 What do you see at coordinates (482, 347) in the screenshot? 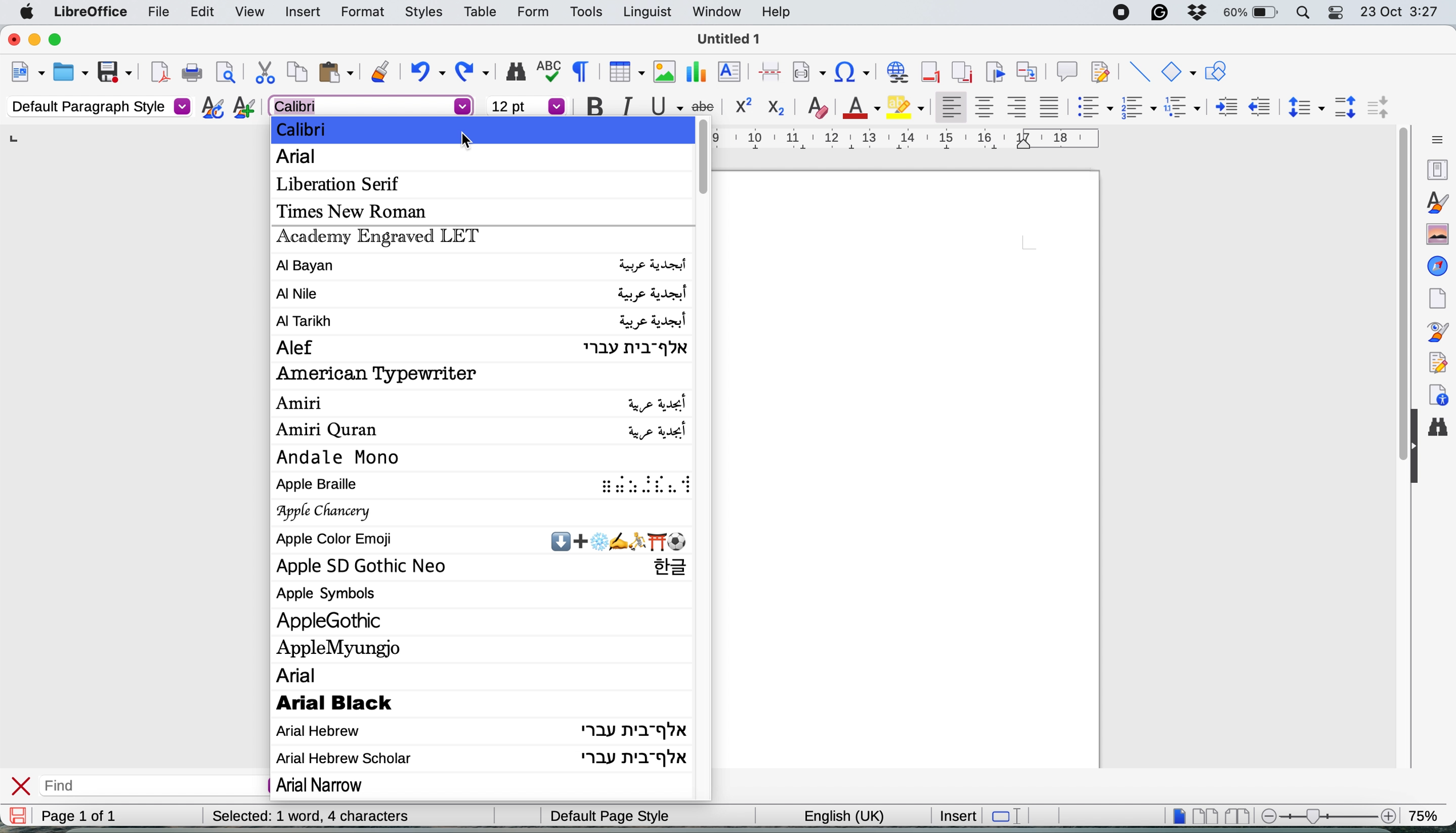
I see `alef` at bounding box center [482, 347].